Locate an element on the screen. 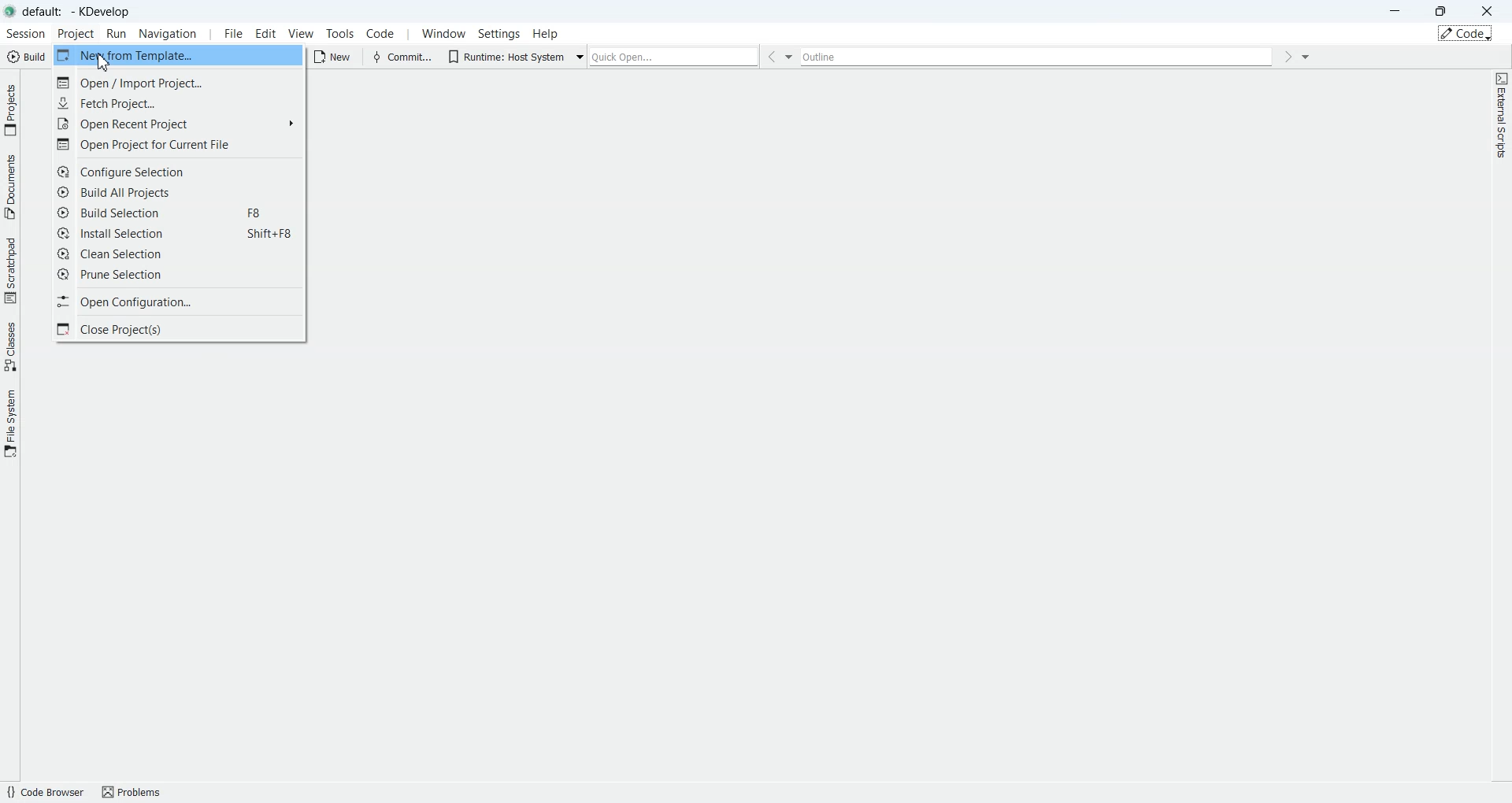 The height and width of the screenshot is (803, 1512). Edit is located at coordinates (266, 33).